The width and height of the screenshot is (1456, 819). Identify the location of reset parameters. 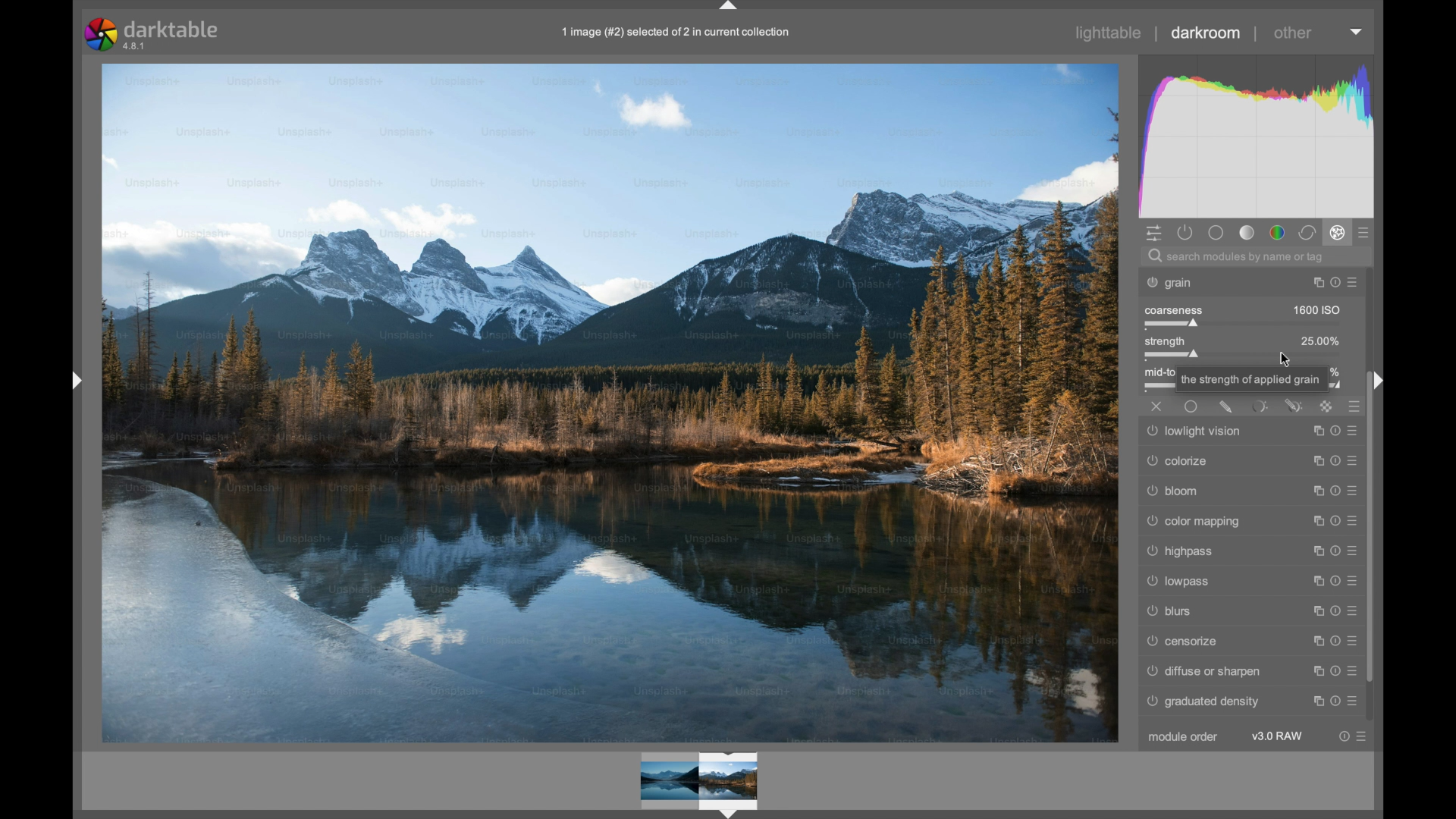
(1335, 491).